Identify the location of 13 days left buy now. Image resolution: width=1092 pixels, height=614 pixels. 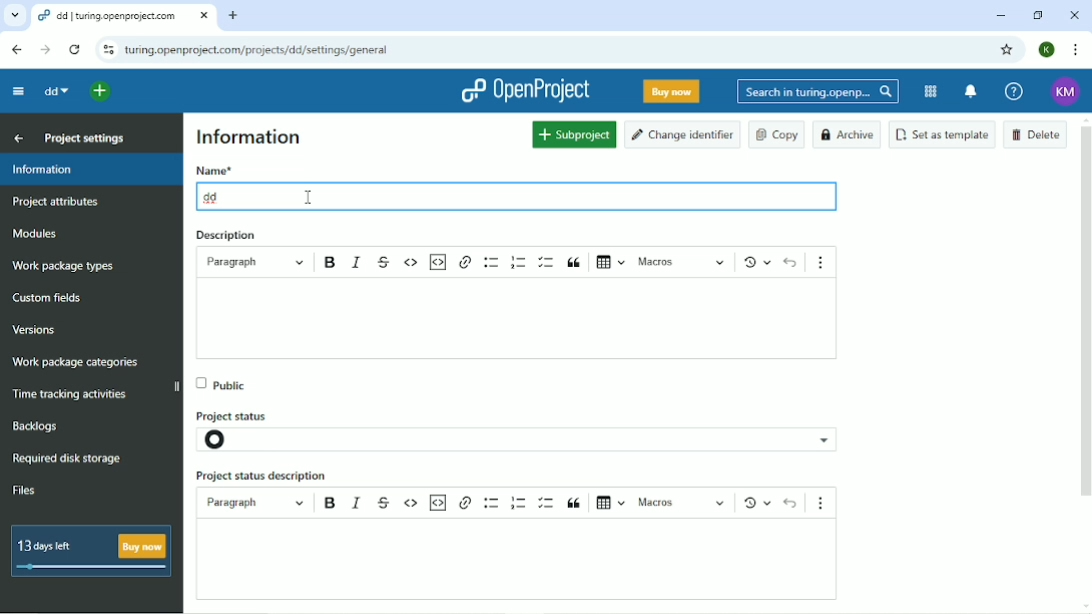
(92, 552).